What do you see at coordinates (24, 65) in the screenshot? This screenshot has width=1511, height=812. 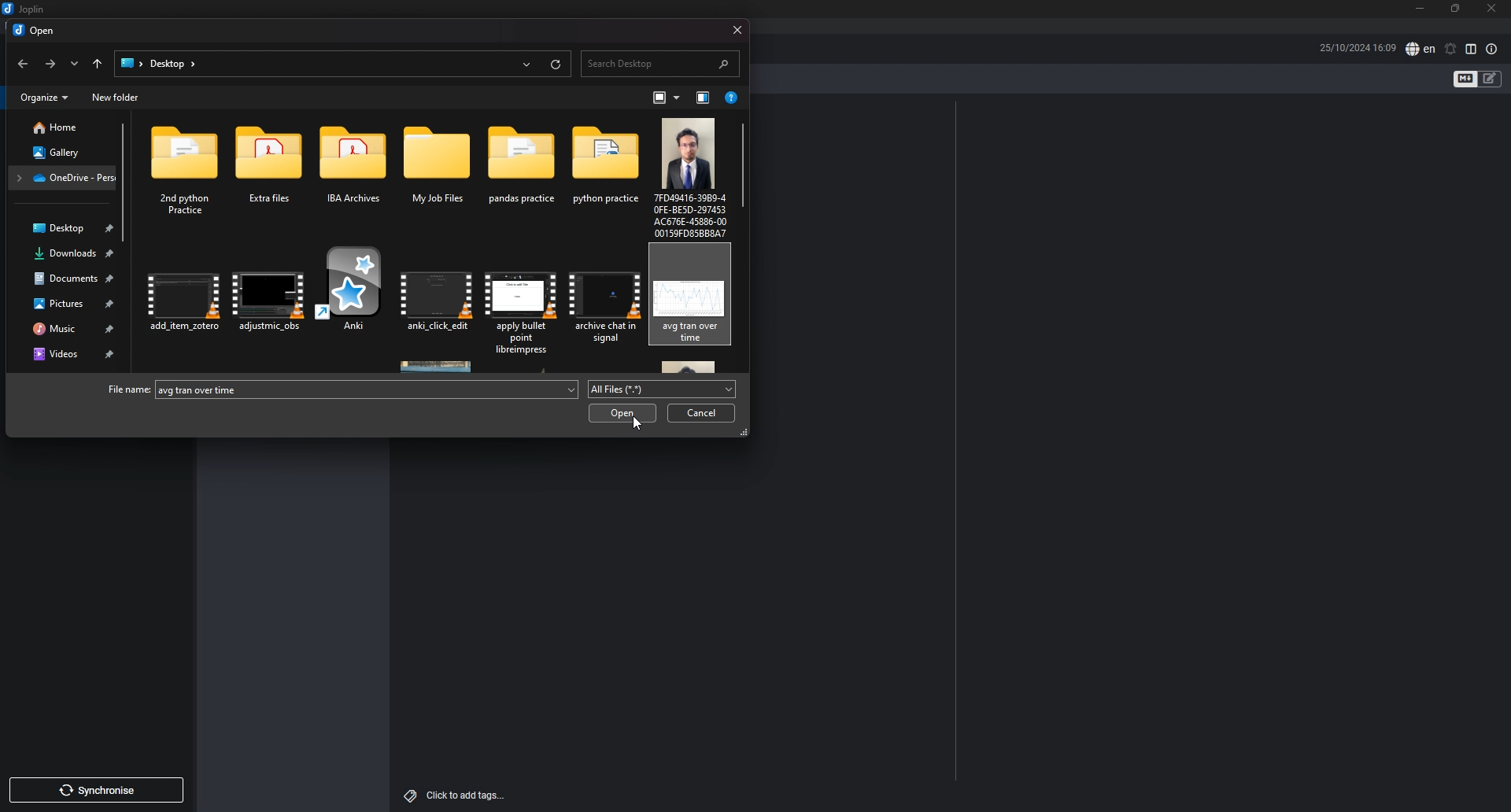 I see `back` at bounding box center [24, 65].